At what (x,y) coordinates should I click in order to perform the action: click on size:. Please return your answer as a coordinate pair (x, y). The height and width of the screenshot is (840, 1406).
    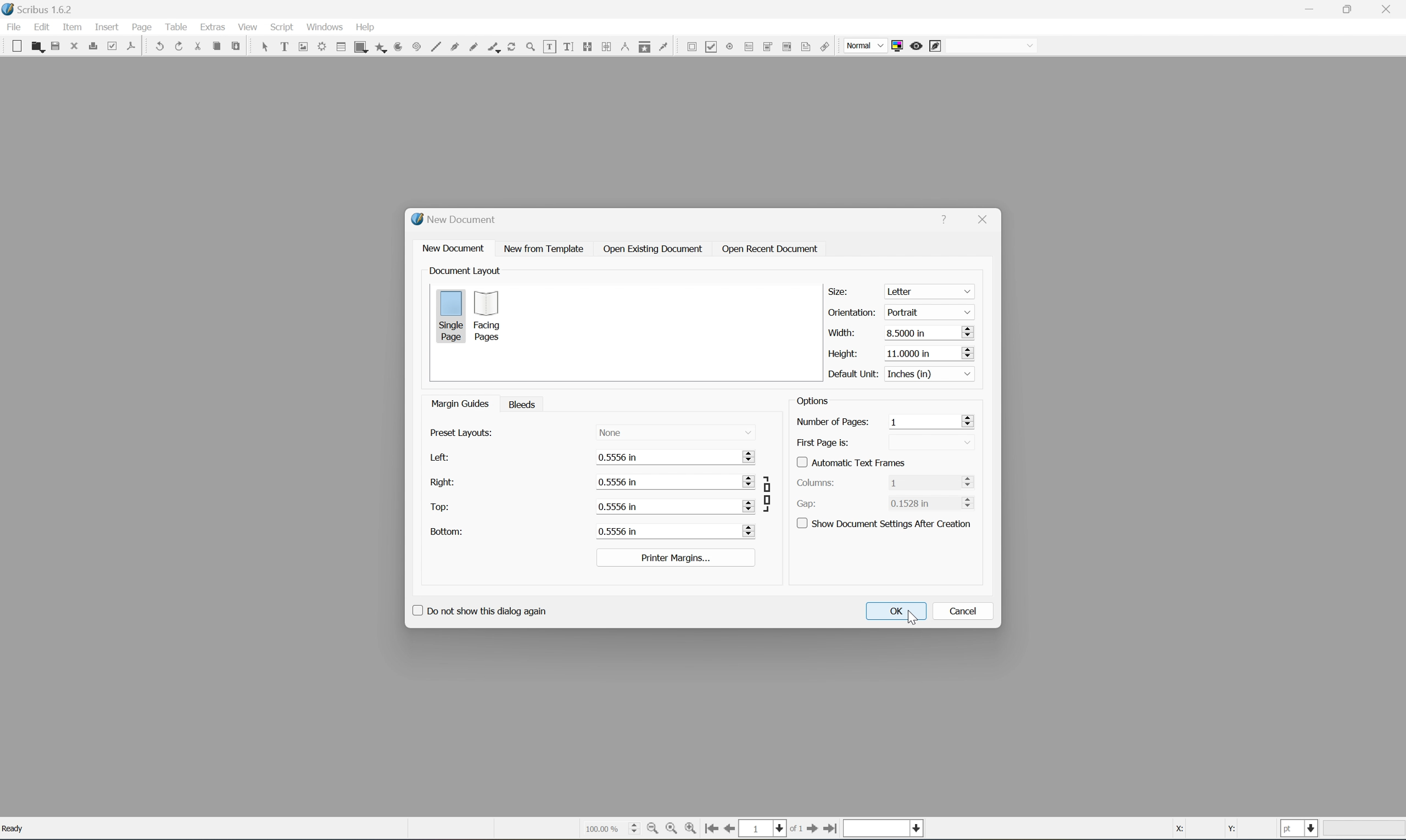
    Looking at the image, I should click on (841, 290).